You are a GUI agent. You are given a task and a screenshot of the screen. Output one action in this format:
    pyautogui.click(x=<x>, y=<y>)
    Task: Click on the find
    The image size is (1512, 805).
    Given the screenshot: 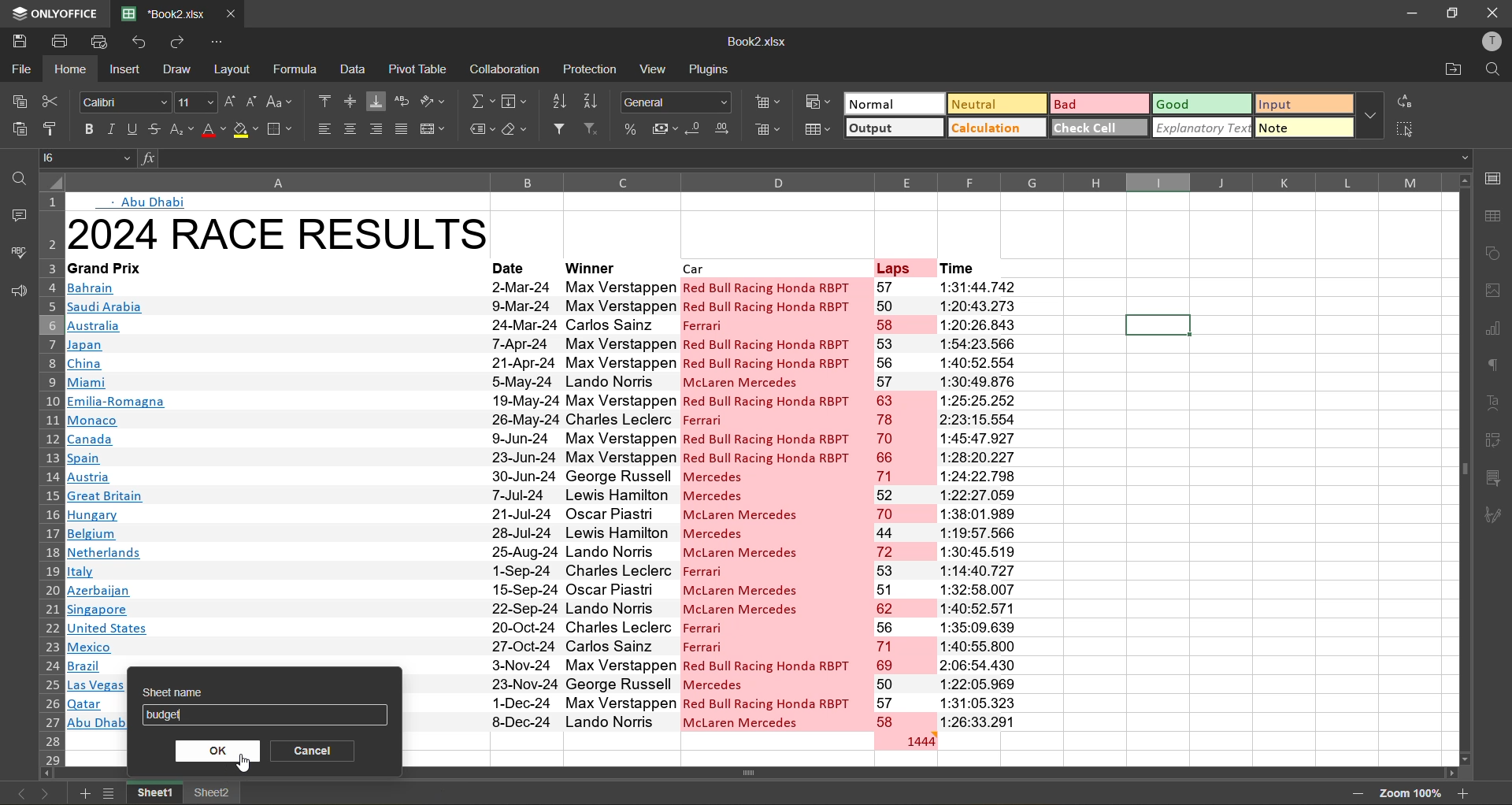 What is the action you would take?
    pyautogui.click(x=1490, y=71)
    